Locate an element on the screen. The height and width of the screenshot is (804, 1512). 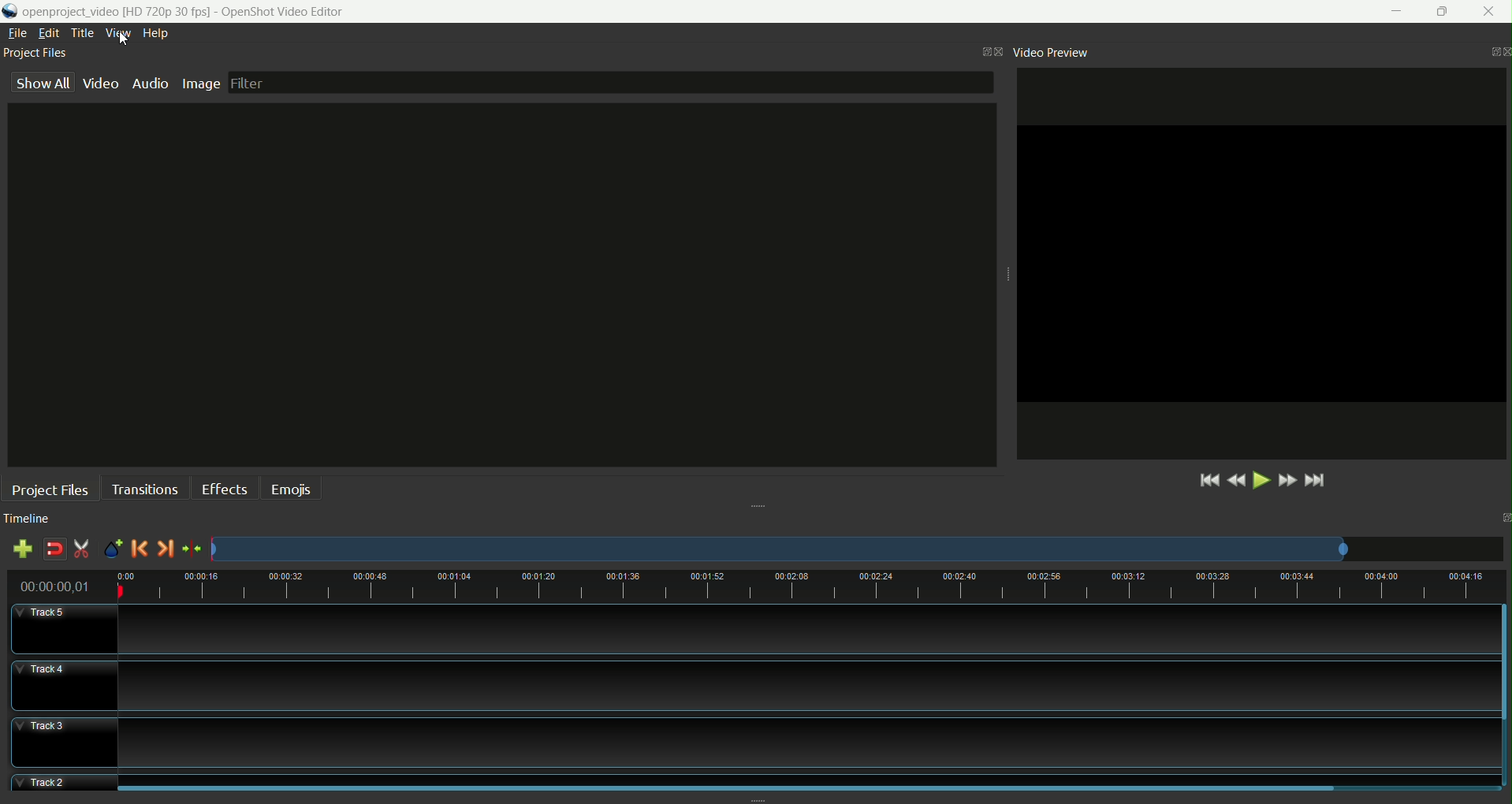
track5 is located at coordinates (758, 628).